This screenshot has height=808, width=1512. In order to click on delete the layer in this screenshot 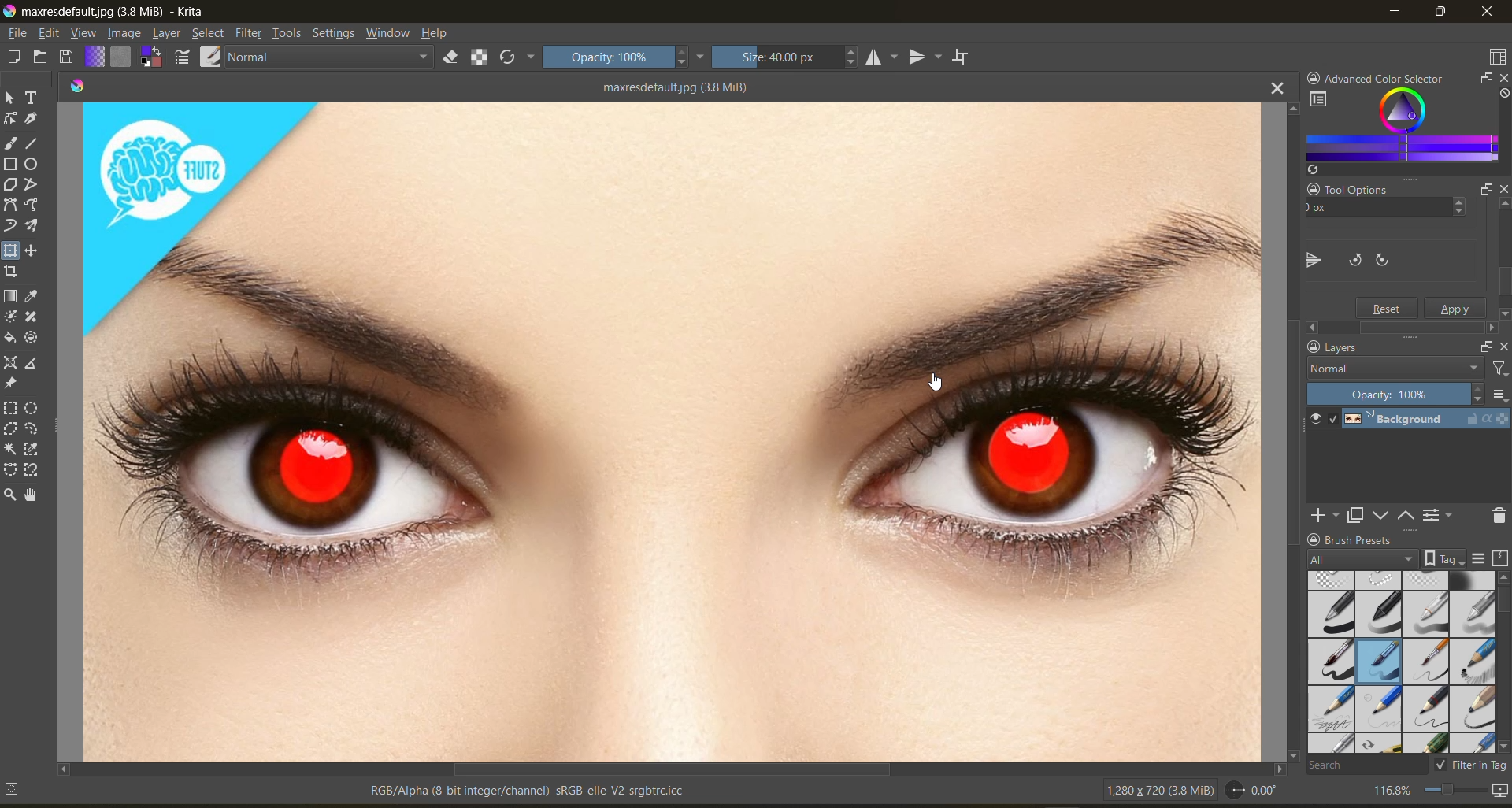, I will do `click(1496, 516)`.